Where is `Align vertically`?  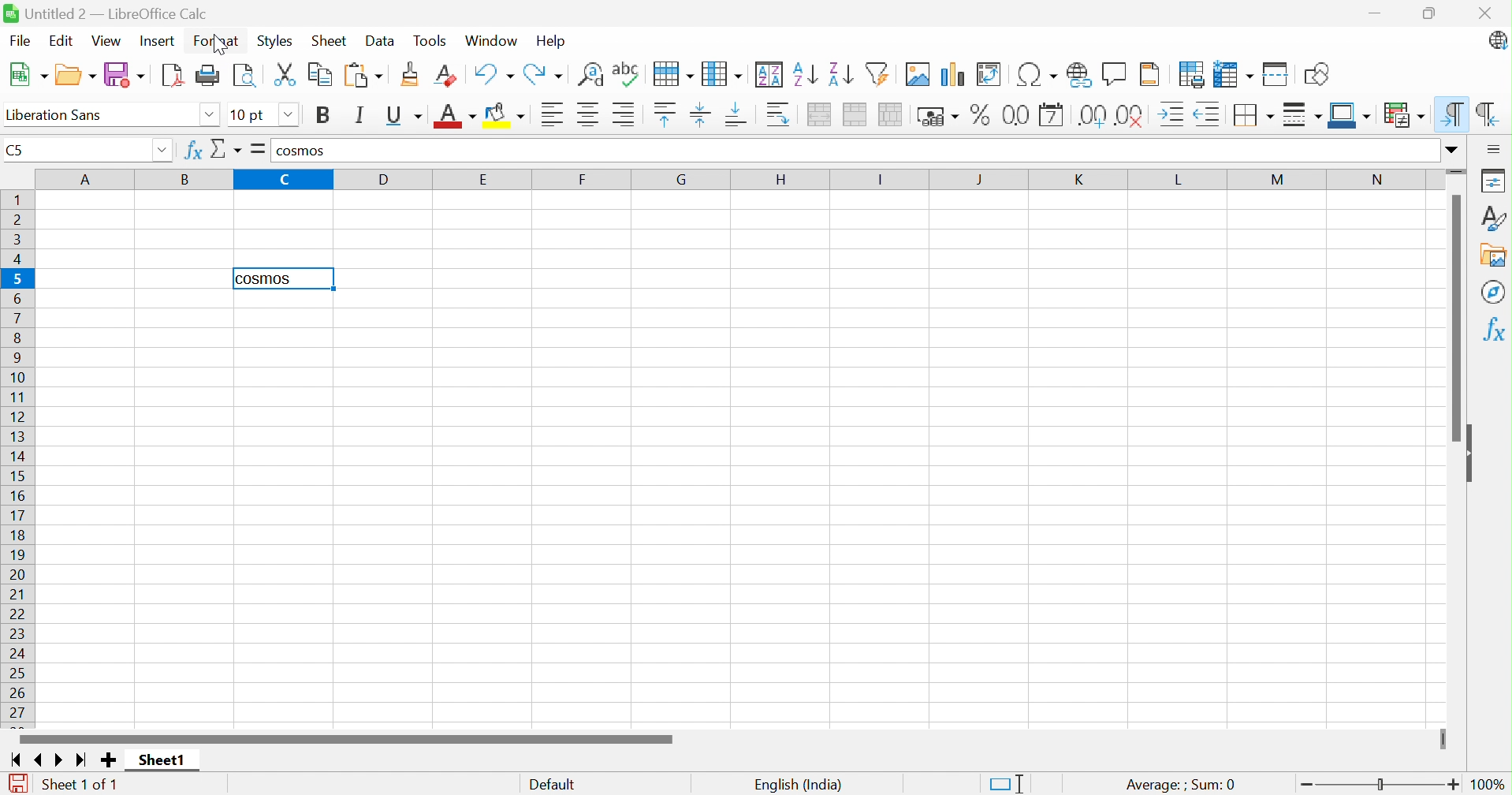 Align vertically is located at coordinates (702, 114).